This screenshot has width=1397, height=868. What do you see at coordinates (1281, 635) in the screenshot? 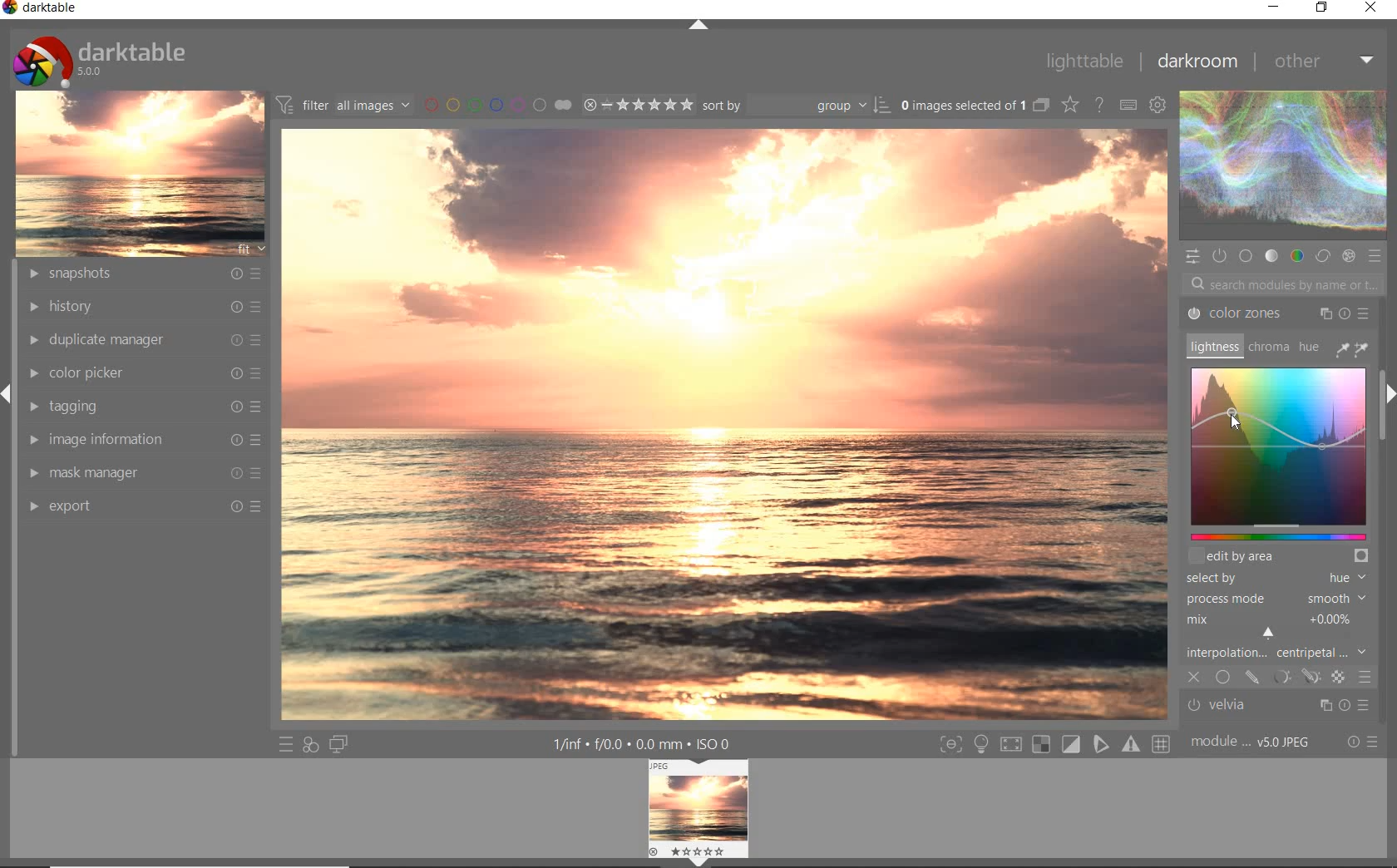
I see `INTERPOLATION` at bounding box center [1281, 635].